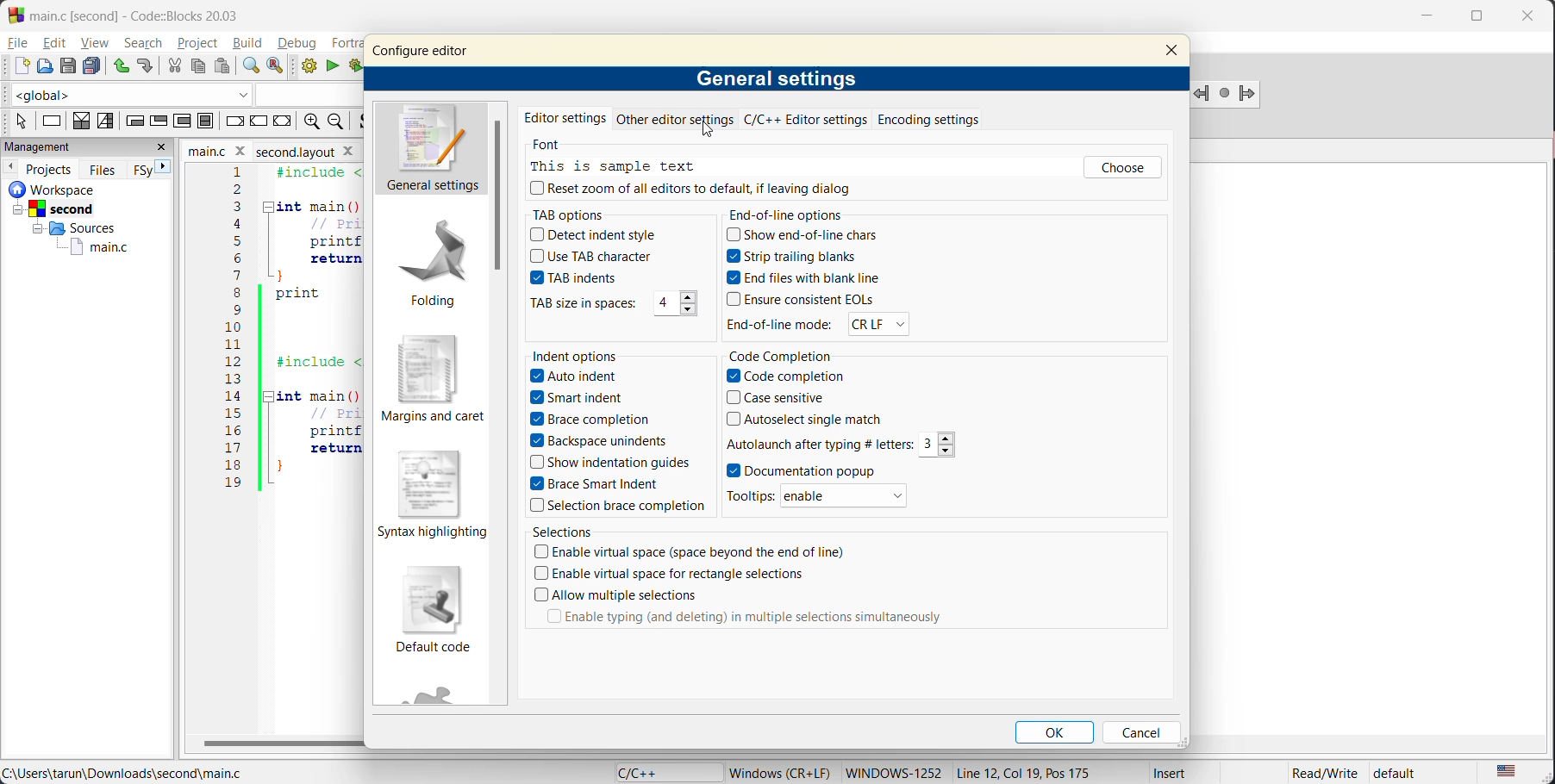 The width and height of the screenshot is (1555, 784). Describe the element at coordinates (134, 122) in the screenshot. I see `entry condition loop` at that location.